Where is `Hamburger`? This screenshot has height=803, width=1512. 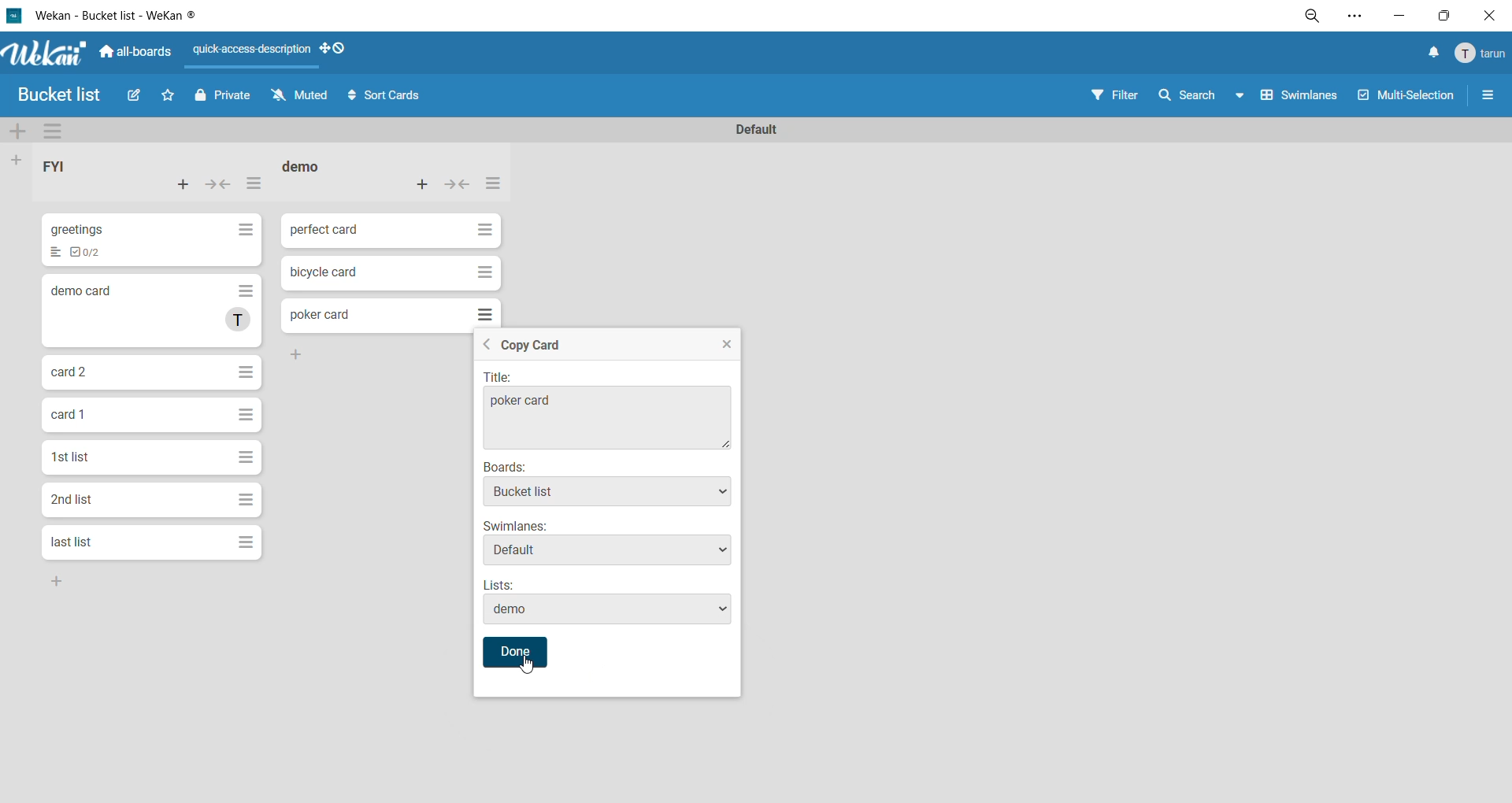
Hamburger is located at coordinates (243, 371).